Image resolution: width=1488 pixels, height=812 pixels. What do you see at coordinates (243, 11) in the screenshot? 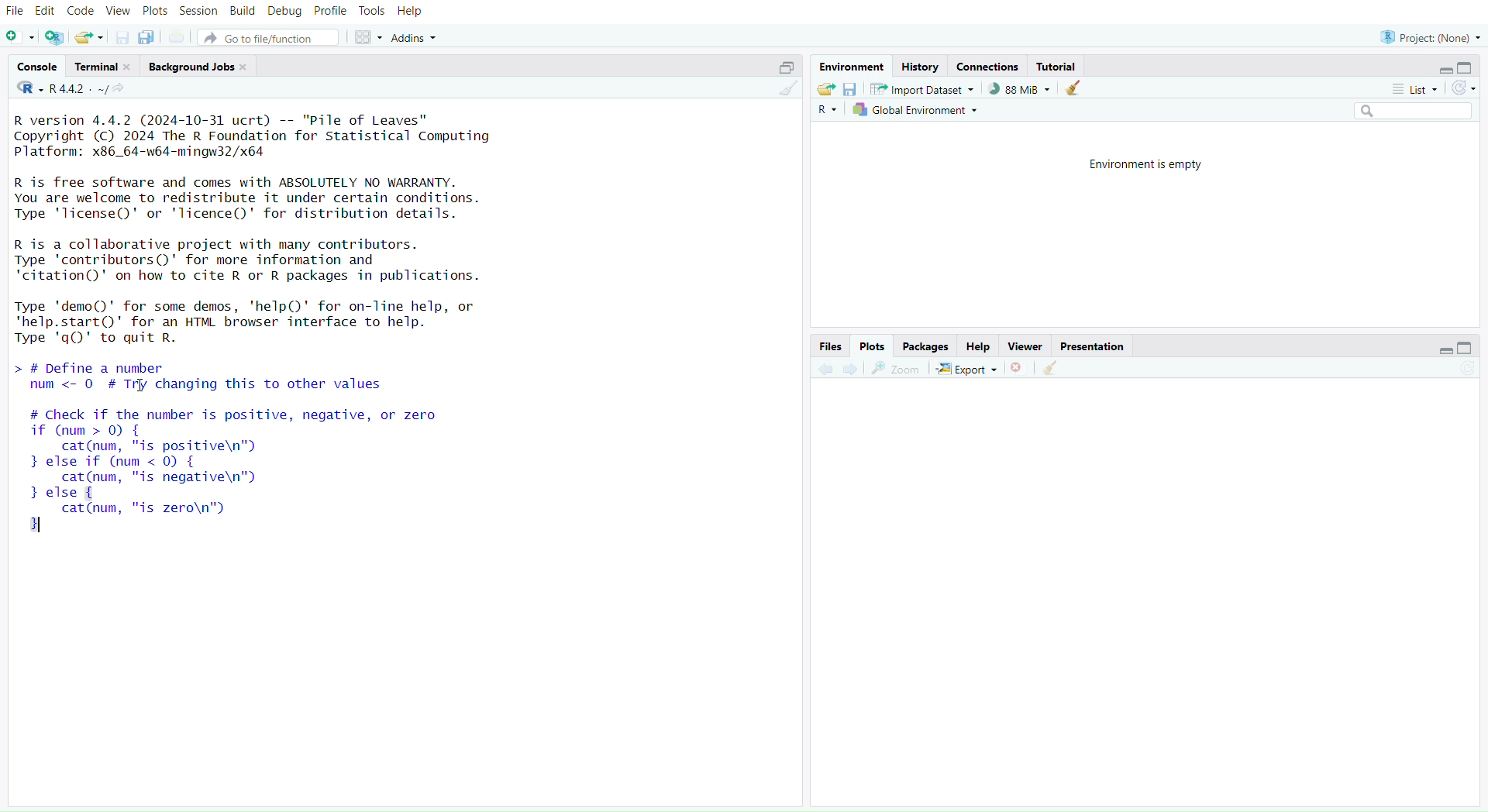
I see `build` at bounding box center [243, 11].